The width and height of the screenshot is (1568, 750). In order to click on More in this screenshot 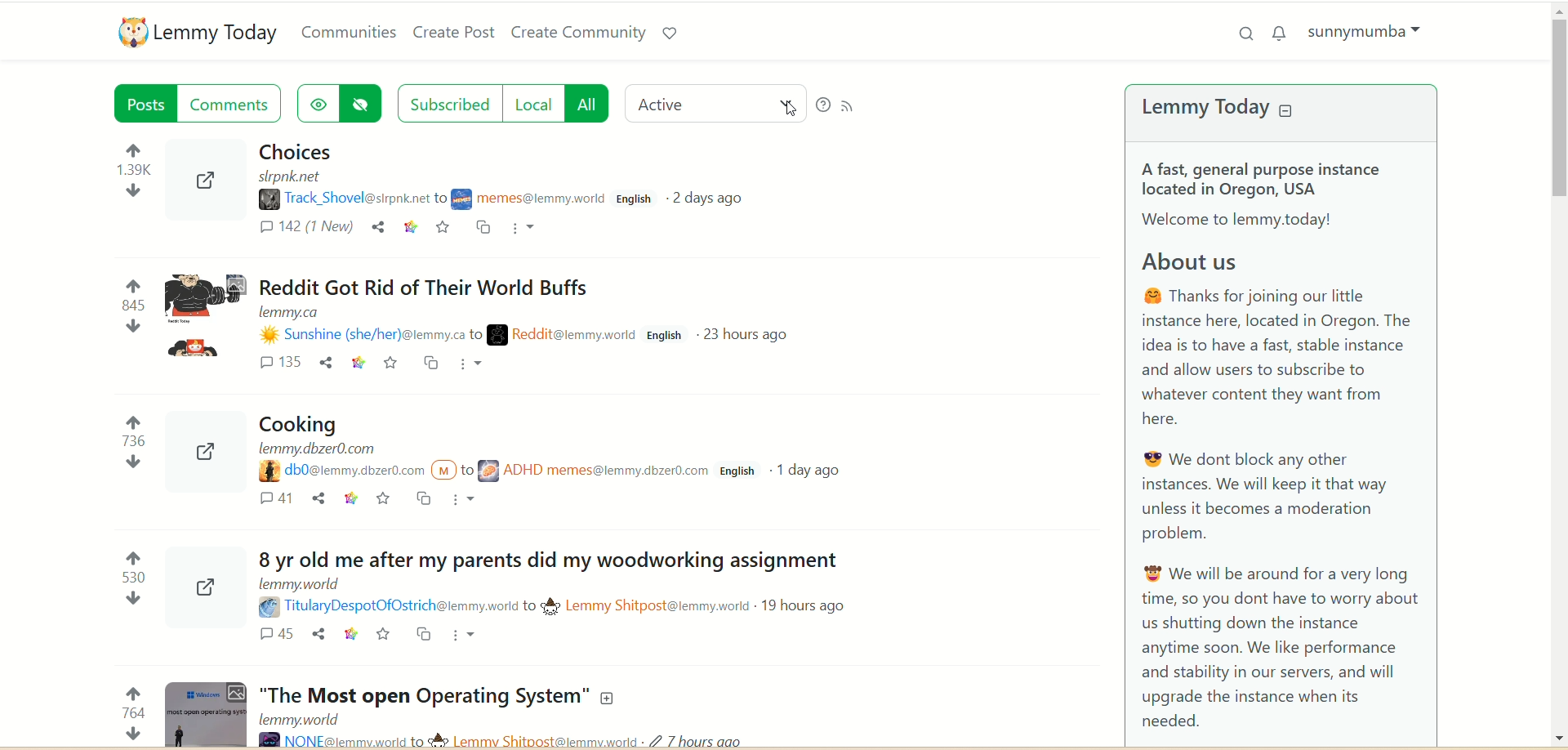, I will do `click(479, 365)`.